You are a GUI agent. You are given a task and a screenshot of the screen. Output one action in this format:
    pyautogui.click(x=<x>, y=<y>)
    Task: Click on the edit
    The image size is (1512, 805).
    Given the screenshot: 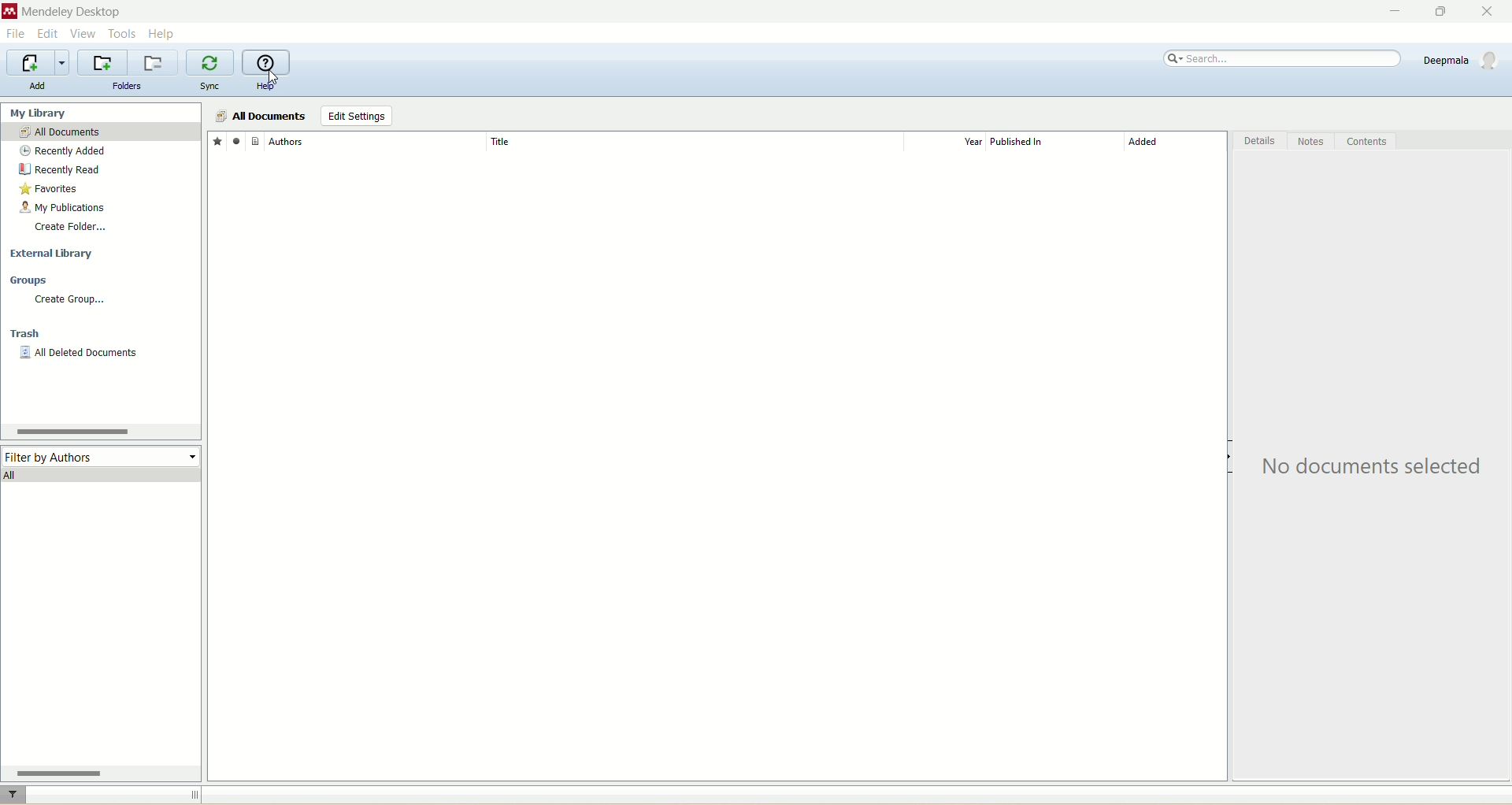 What is the action you would take?
    pyautogui.click(x=47, y=33)
    